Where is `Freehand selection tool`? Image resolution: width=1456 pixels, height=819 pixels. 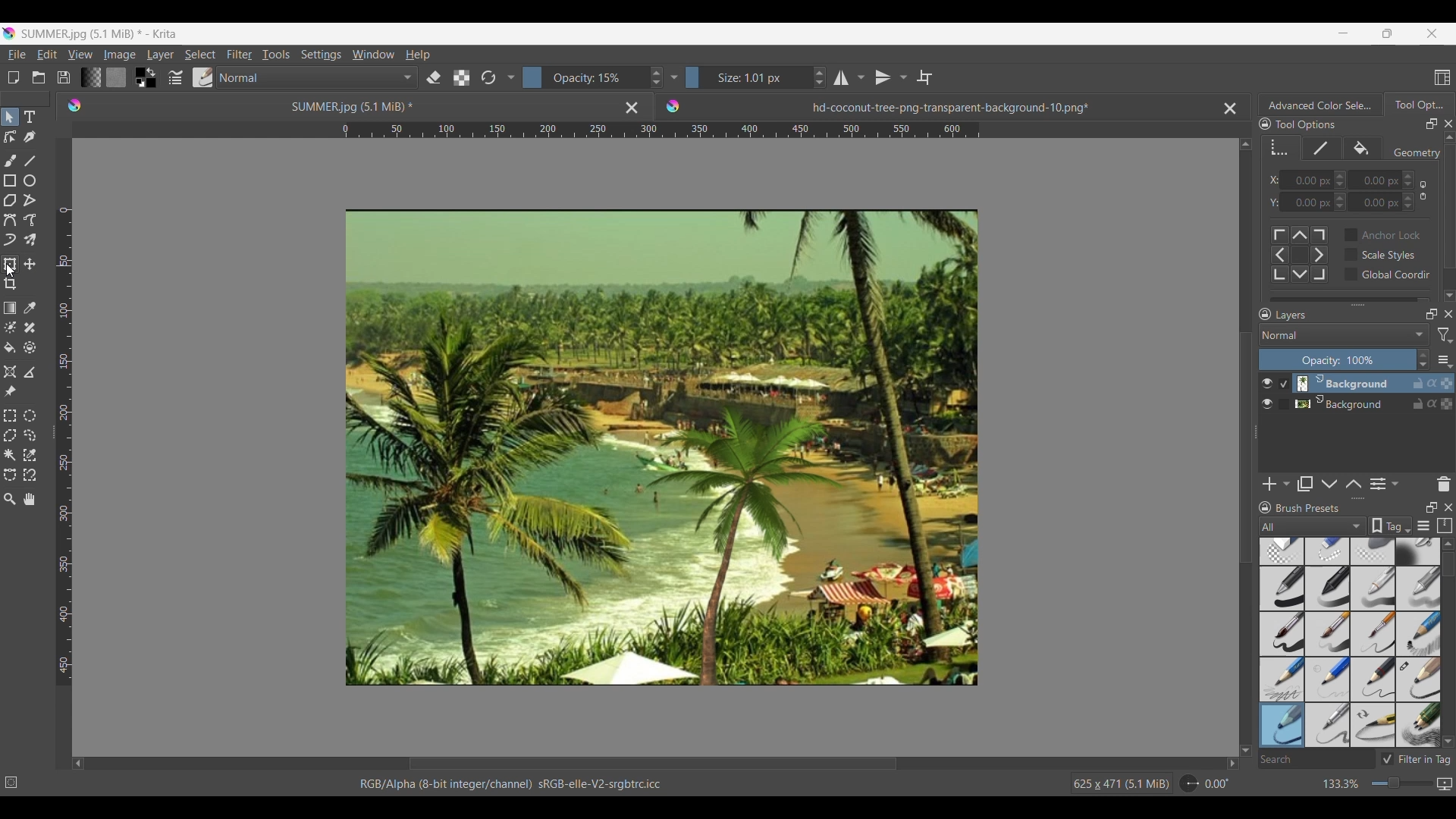 Freehand selection tool is located at coordinates (29, 435).